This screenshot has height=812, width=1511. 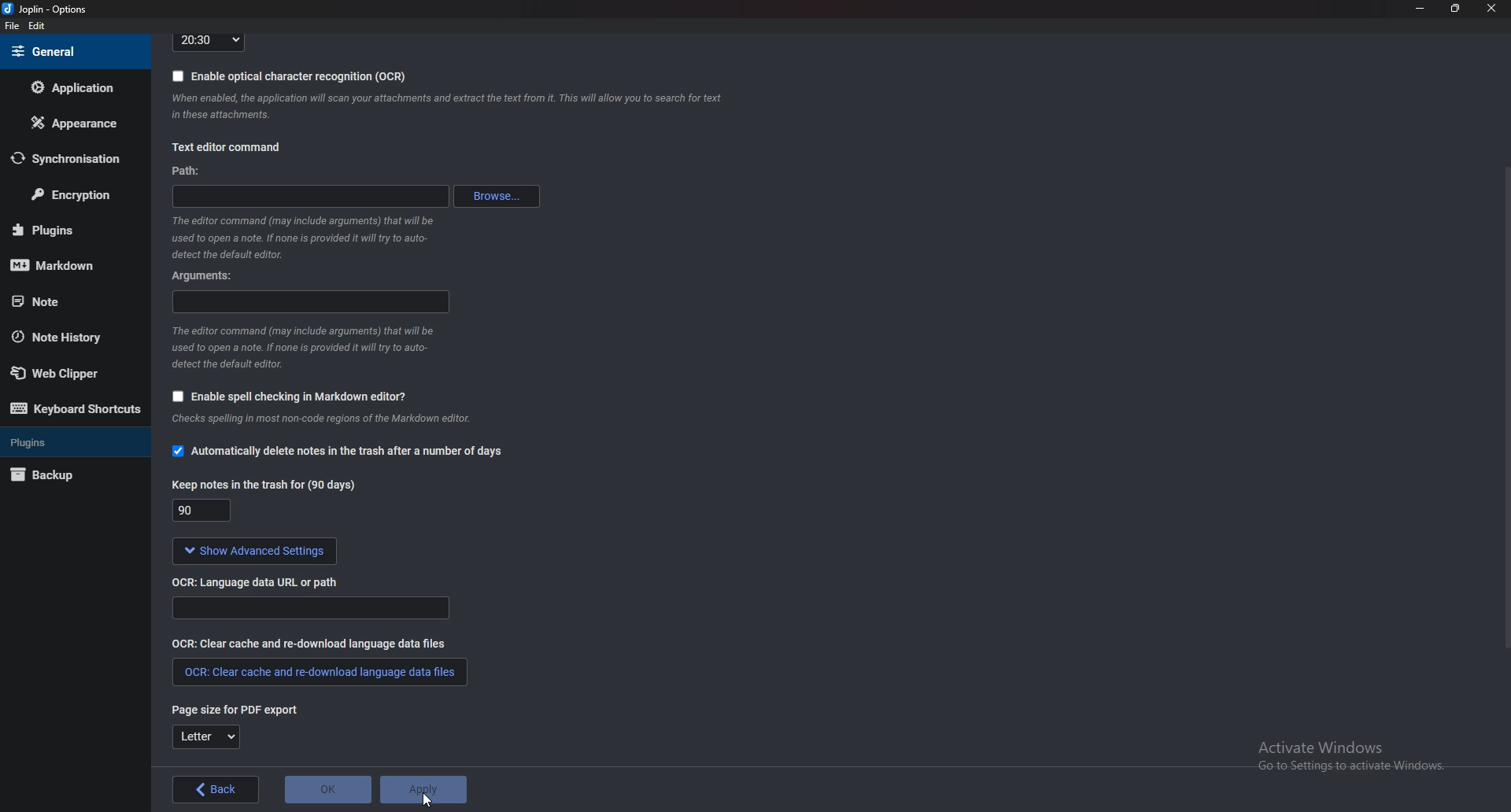 I want to click on Cursor, so click(x=428, y=801).